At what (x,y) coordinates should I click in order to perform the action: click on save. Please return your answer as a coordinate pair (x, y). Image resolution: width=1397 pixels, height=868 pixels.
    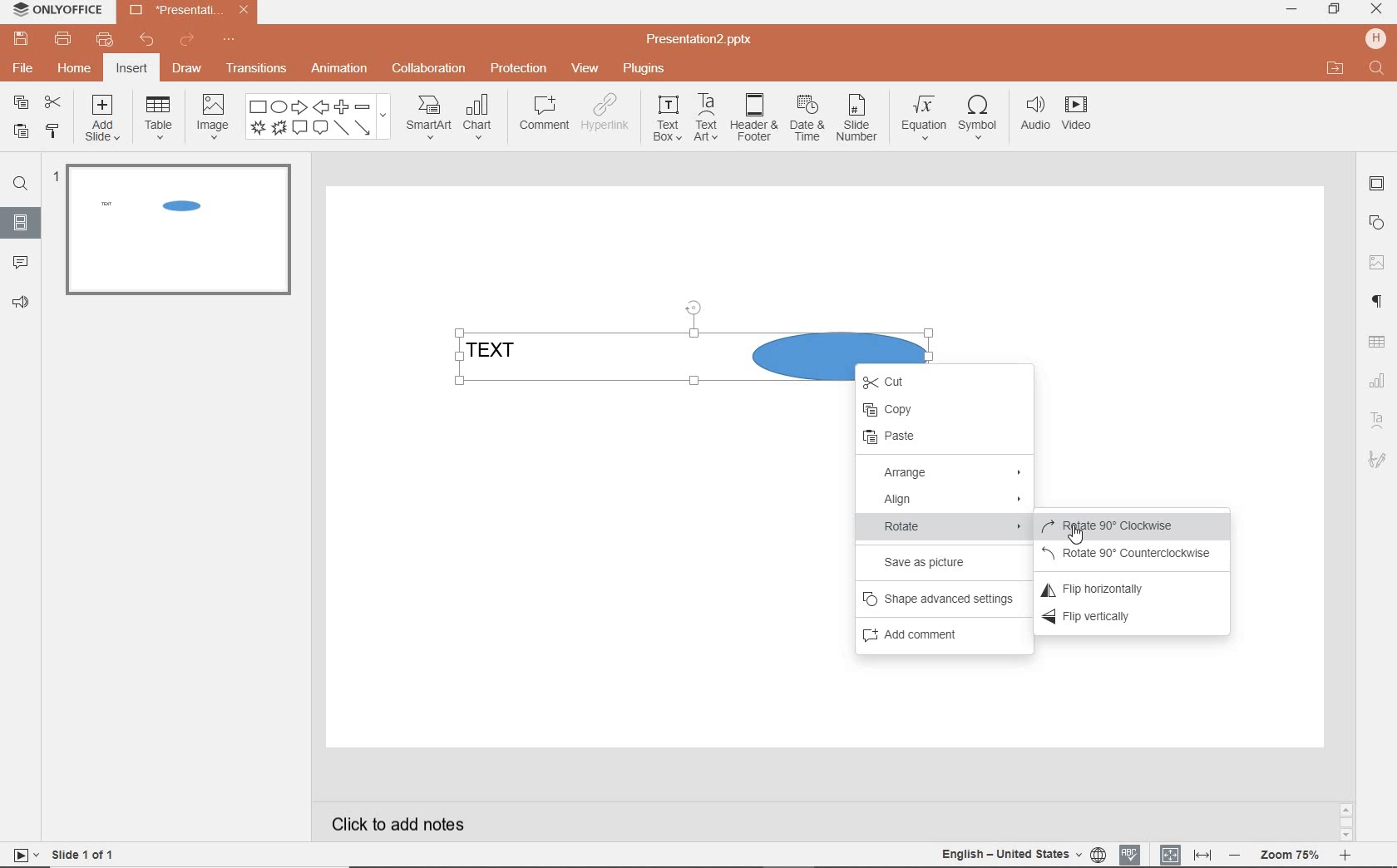
    Looking at the image, I should click on (18, 38).